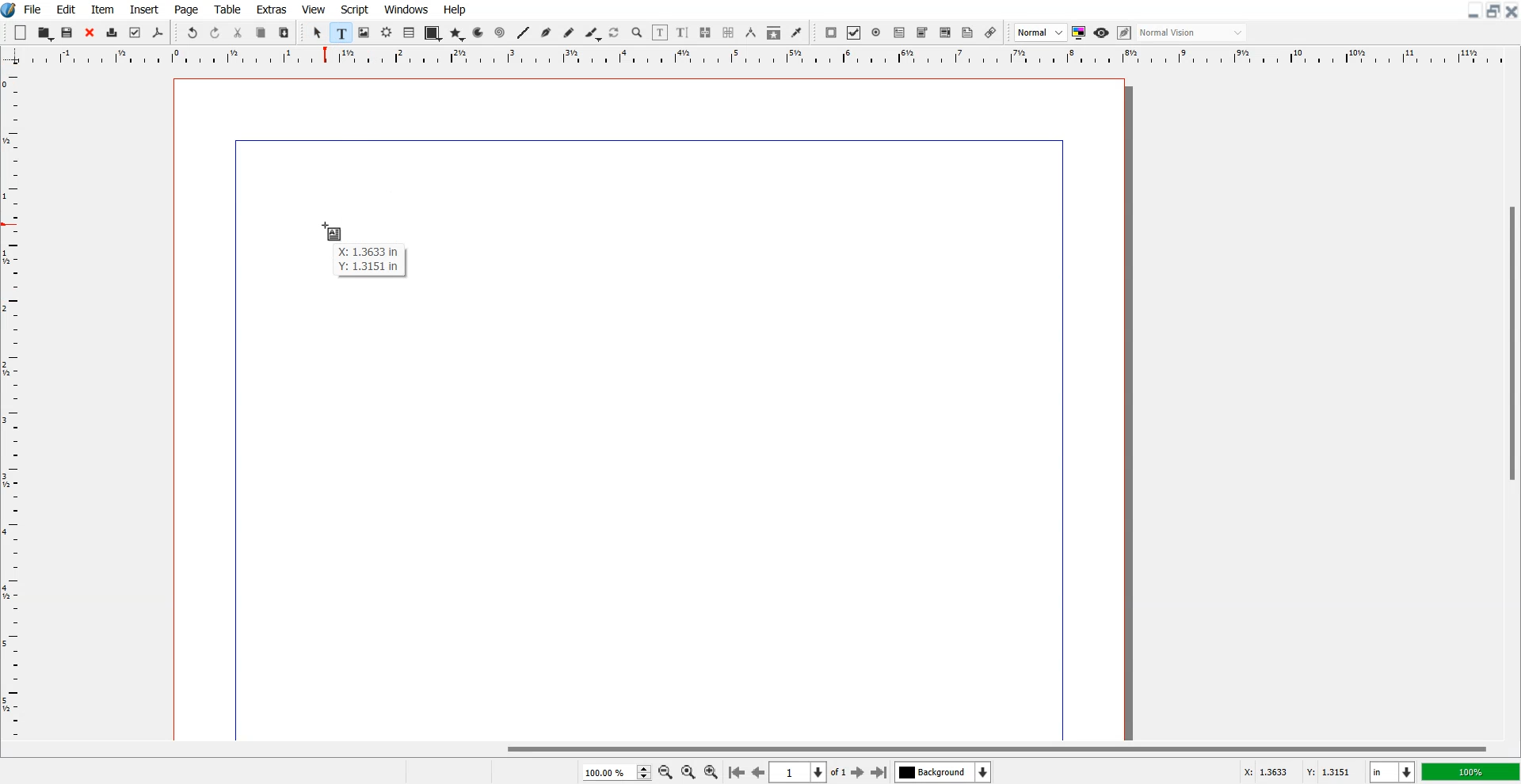 Image resolution: width=1521 pixels, height=784 pixels. Describe the element at coordinates (46, 33) in the screenshot. I see `Open` at that location.